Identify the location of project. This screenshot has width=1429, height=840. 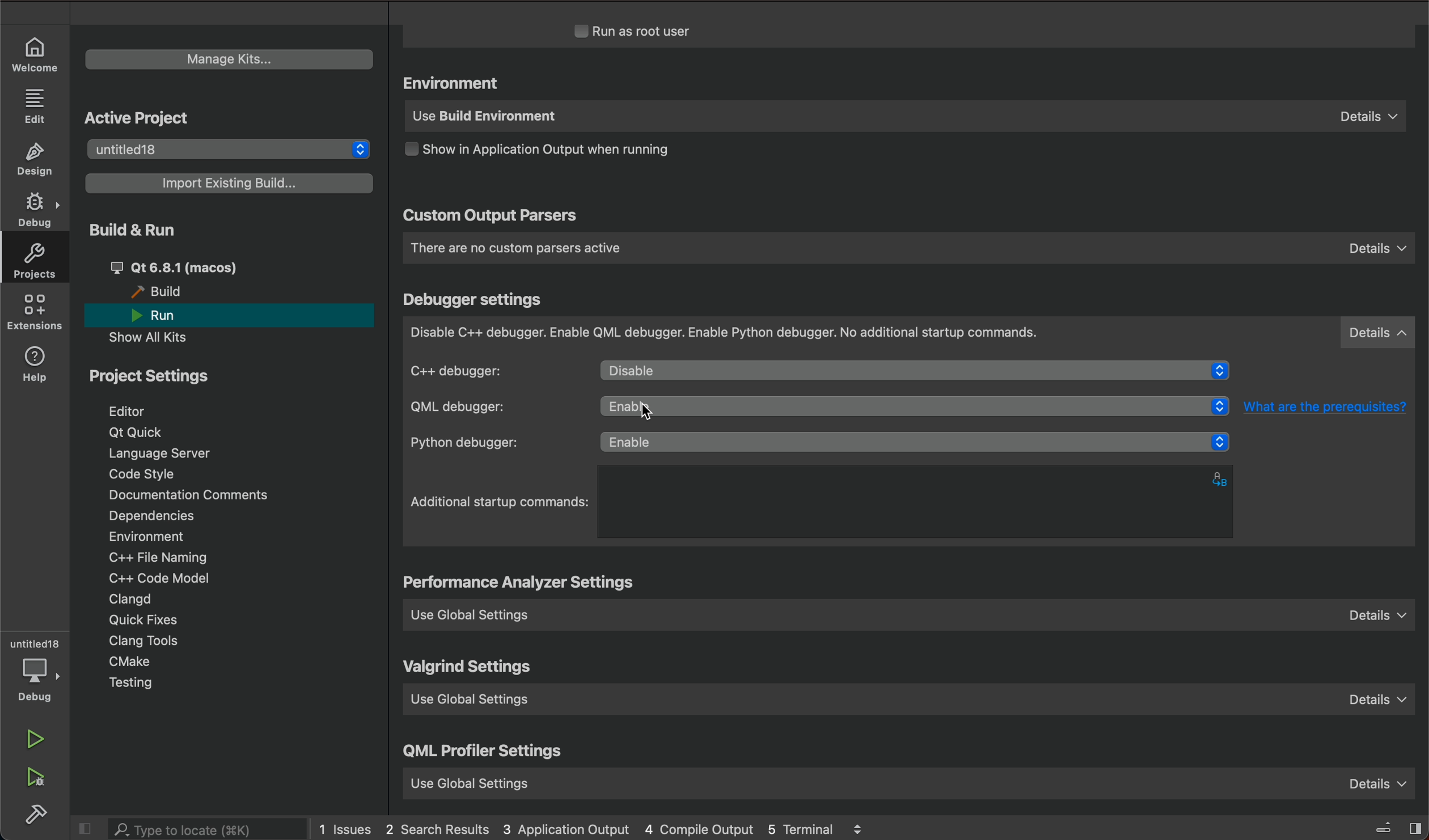
(157, 380).